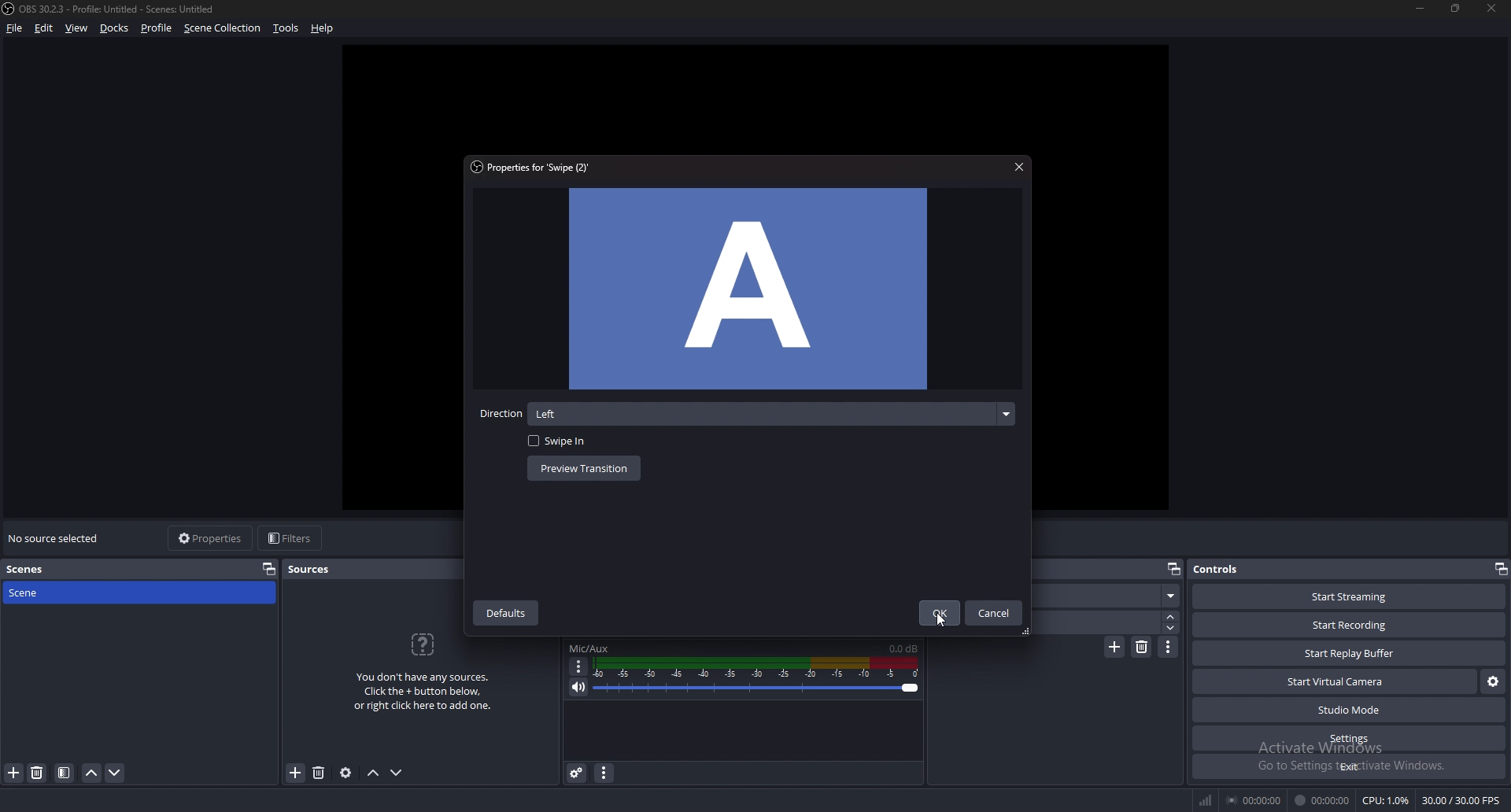  Describe the element at coordinates (1347, 766) in the screenshot. I see `exit` at that location.